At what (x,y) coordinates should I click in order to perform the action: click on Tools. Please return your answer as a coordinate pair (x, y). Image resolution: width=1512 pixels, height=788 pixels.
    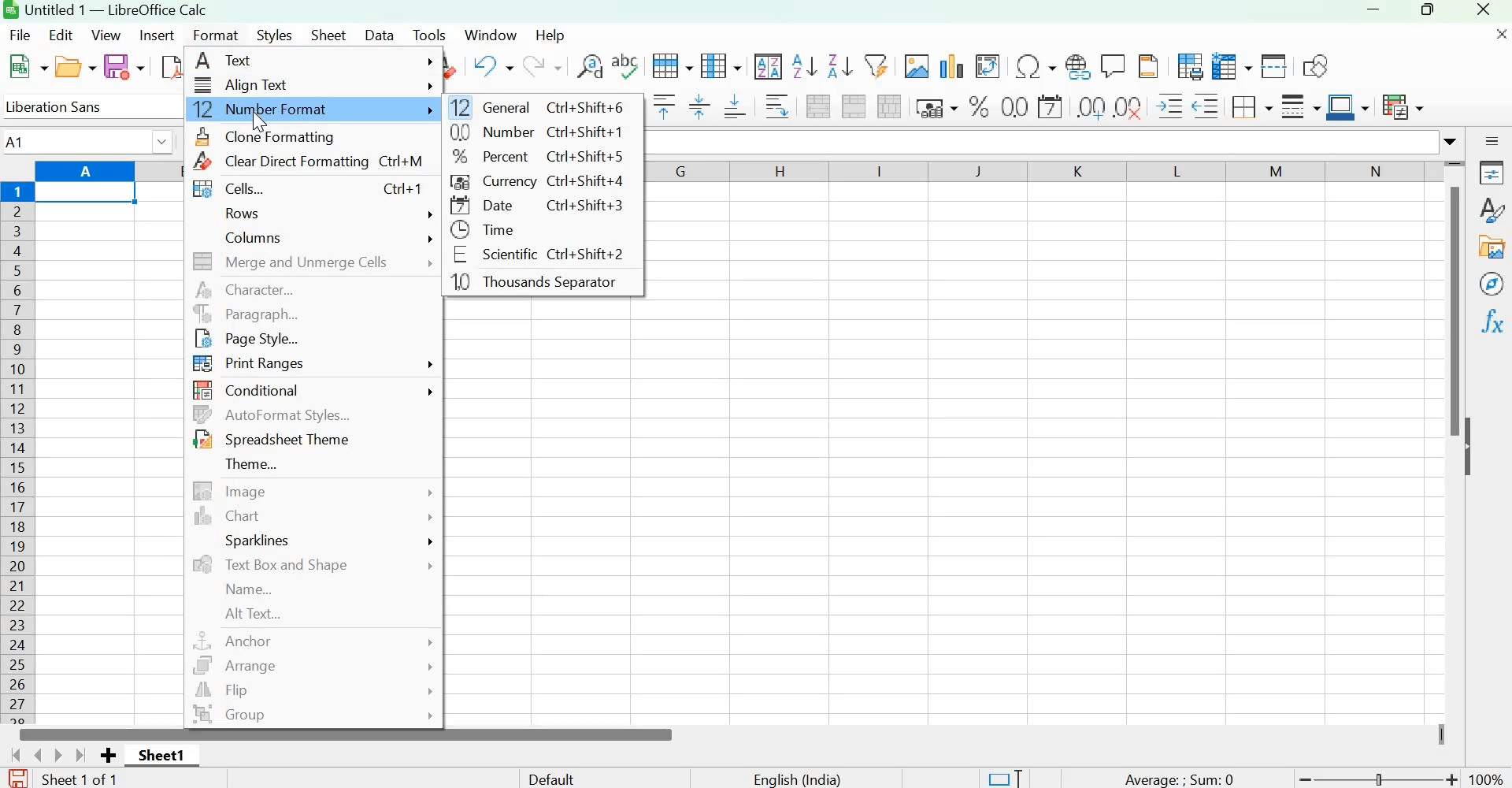
    Looking at the image, I should click on (429, 35).